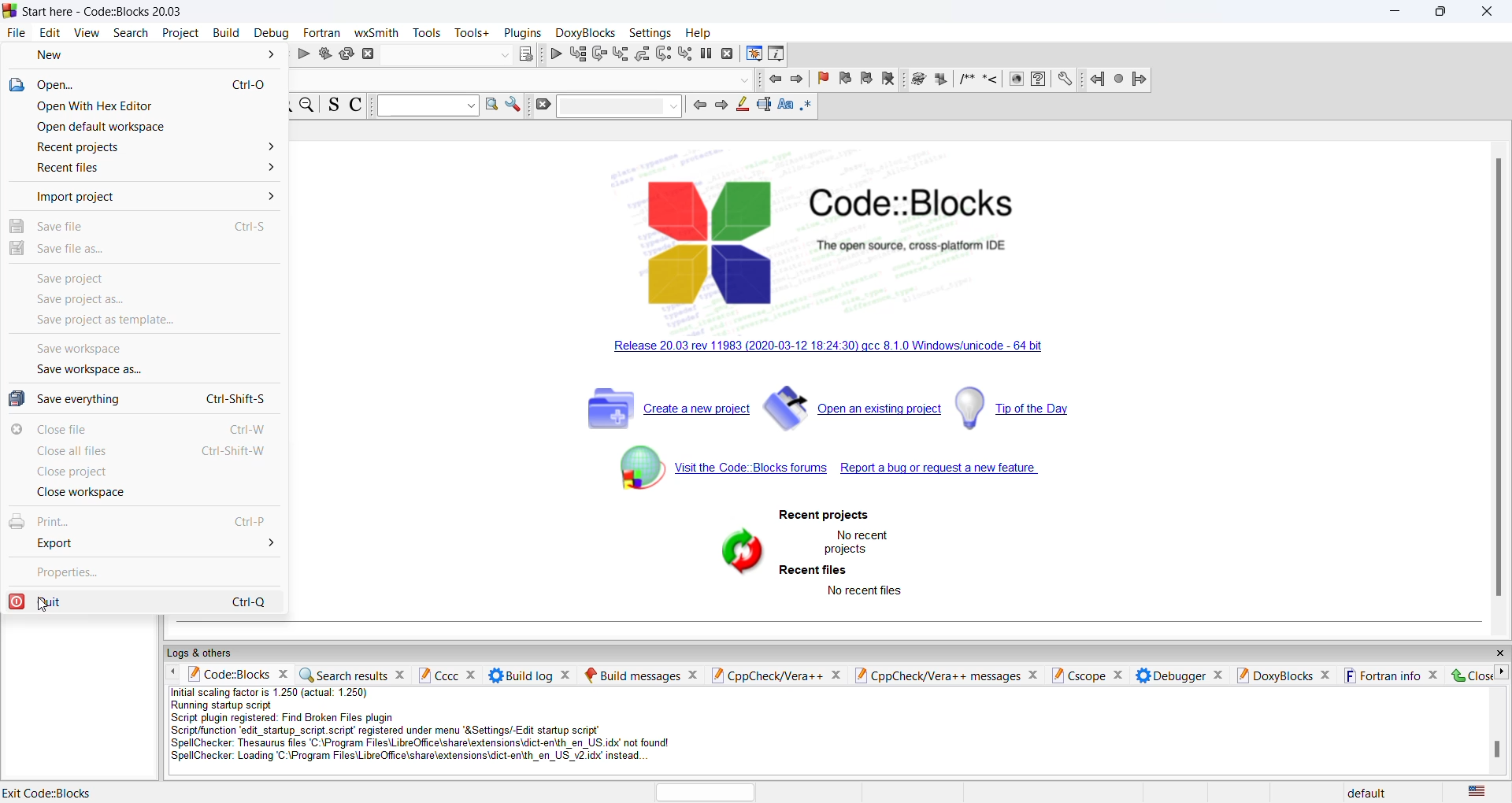 Image resolution: width=1512 pixels, height=803 pixels. What do you see at coordinates (513, 104) in the screenshot?
I see `settings` at bounding box center [513, 104].